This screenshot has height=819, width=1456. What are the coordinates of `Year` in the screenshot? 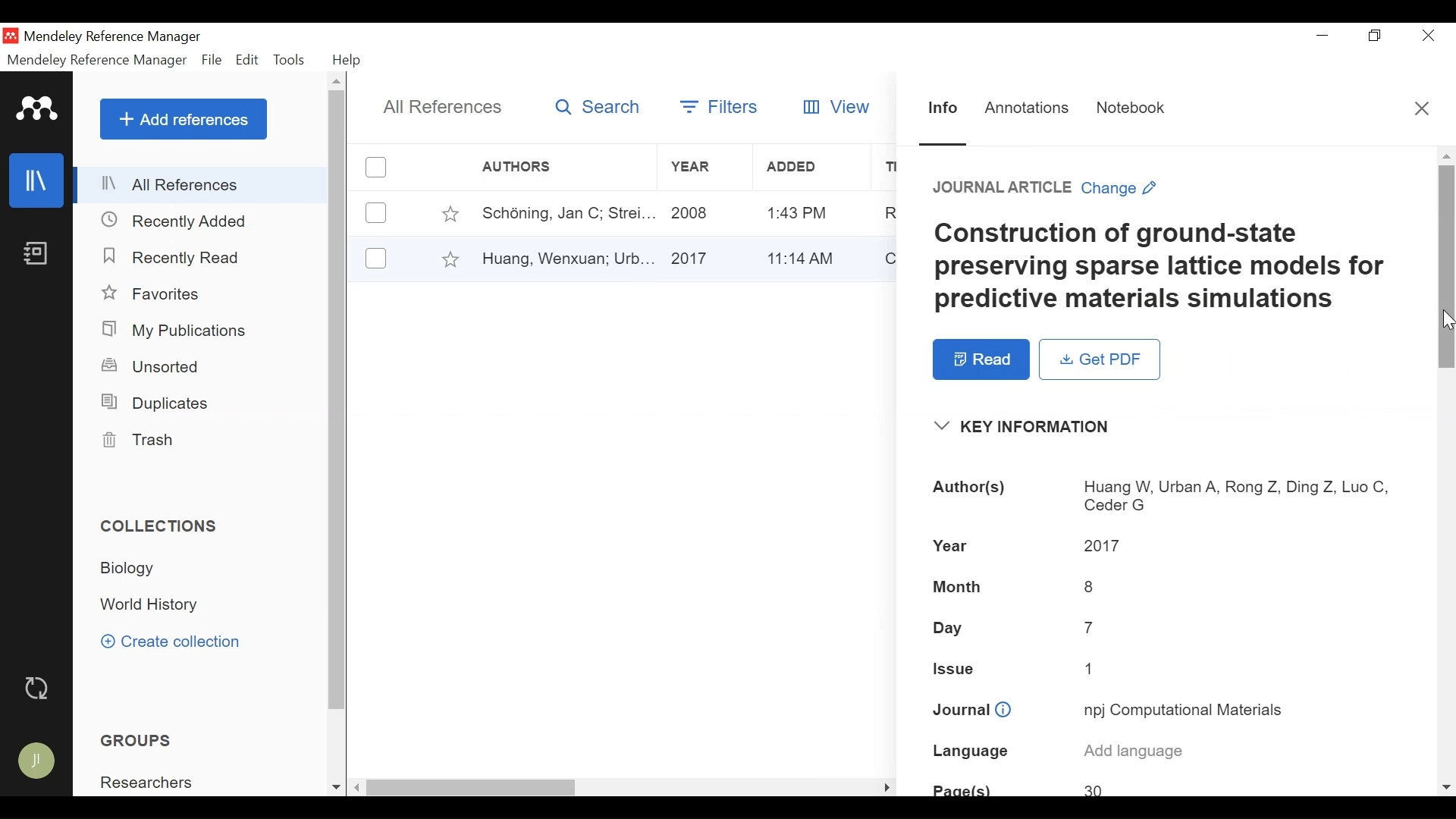 It's located at (1164, 546).